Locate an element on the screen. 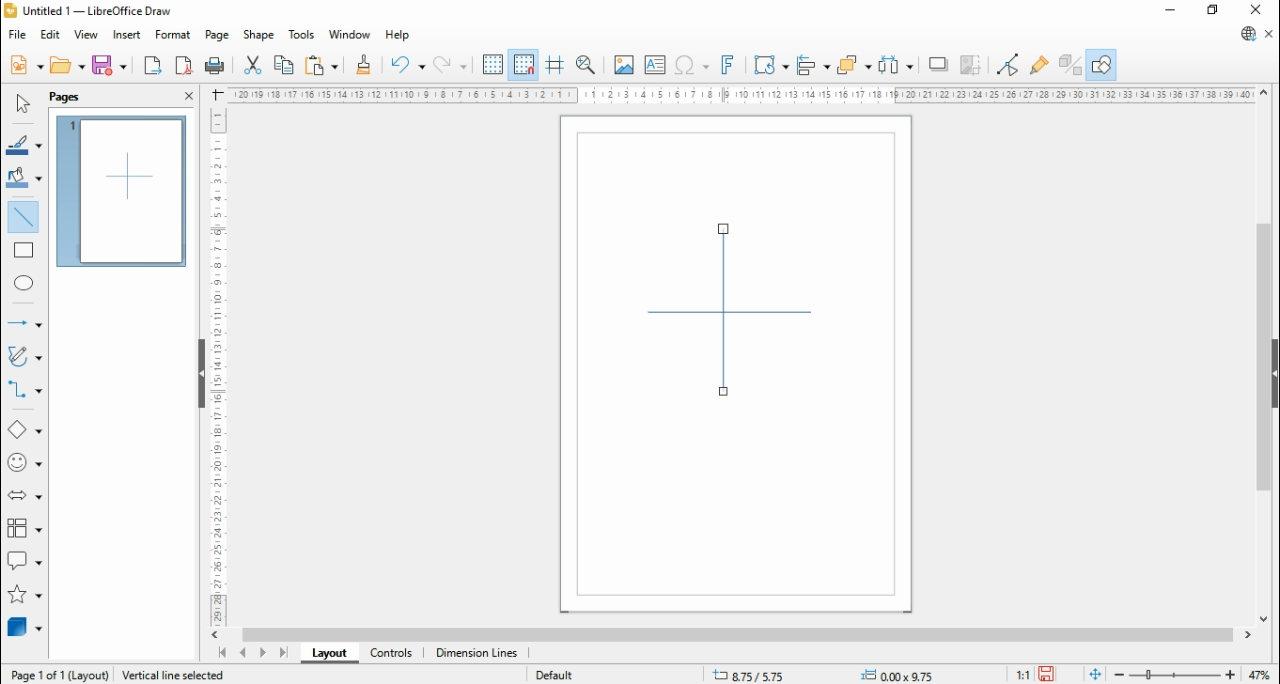 The height and width of the screenshot is (684, 1280). last page is located at coordinates (284, 652).